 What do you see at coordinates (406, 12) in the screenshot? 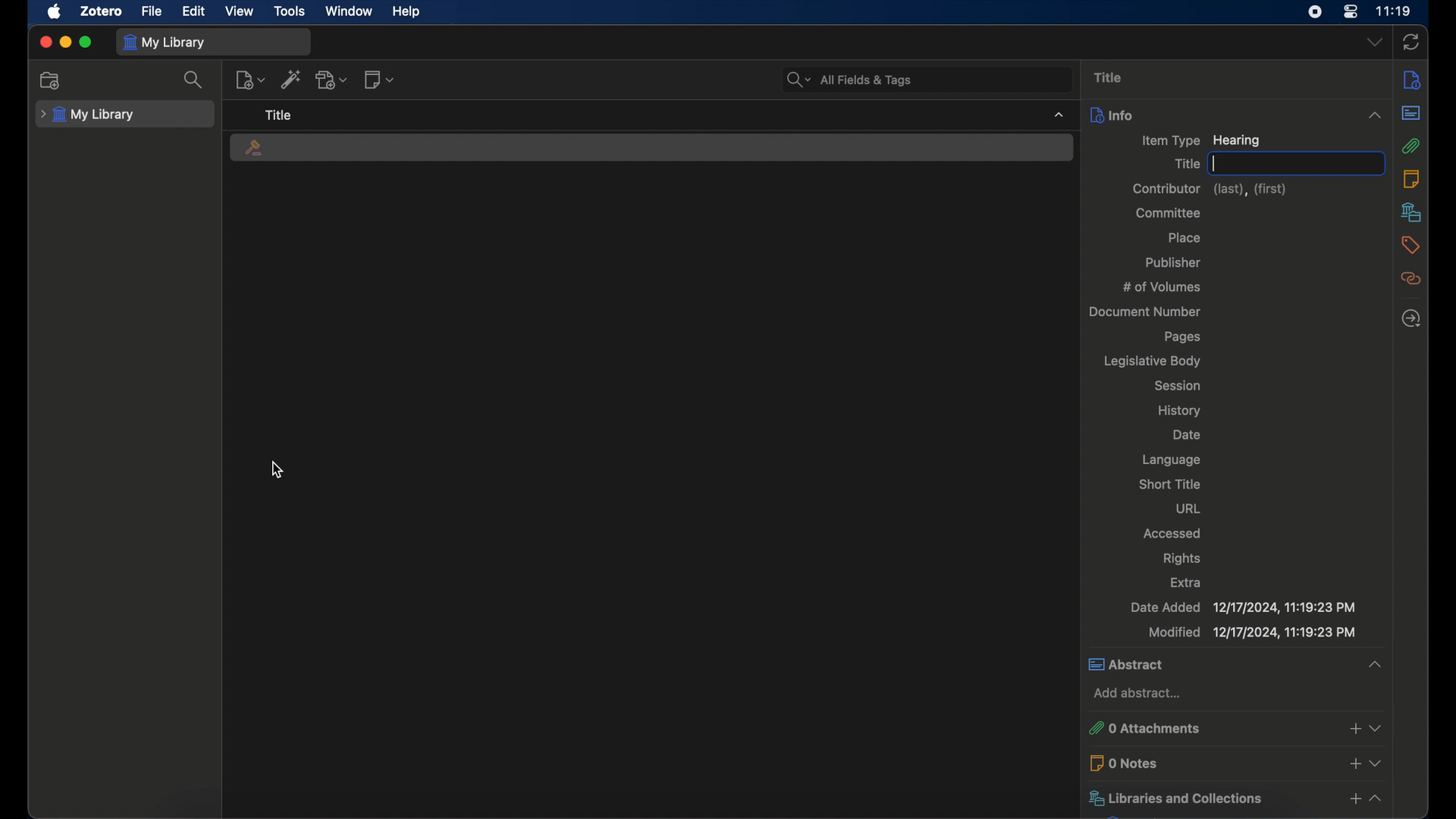
I see `help` at bounding box center [406, 12].